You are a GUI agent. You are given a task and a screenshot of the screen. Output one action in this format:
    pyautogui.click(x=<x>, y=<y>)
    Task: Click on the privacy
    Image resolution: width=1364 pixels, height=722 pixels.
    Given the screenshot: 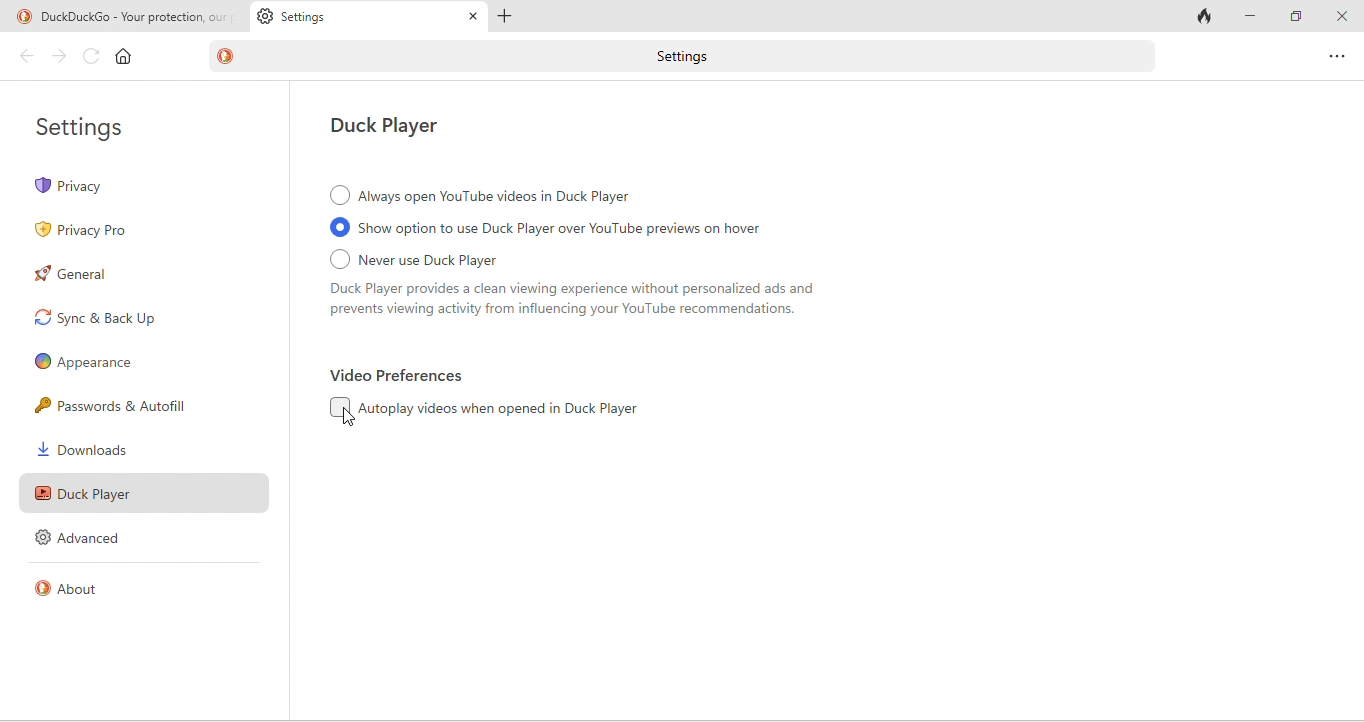 What is the action you would take?
    pyautogui.click(x=143, y=186)
    